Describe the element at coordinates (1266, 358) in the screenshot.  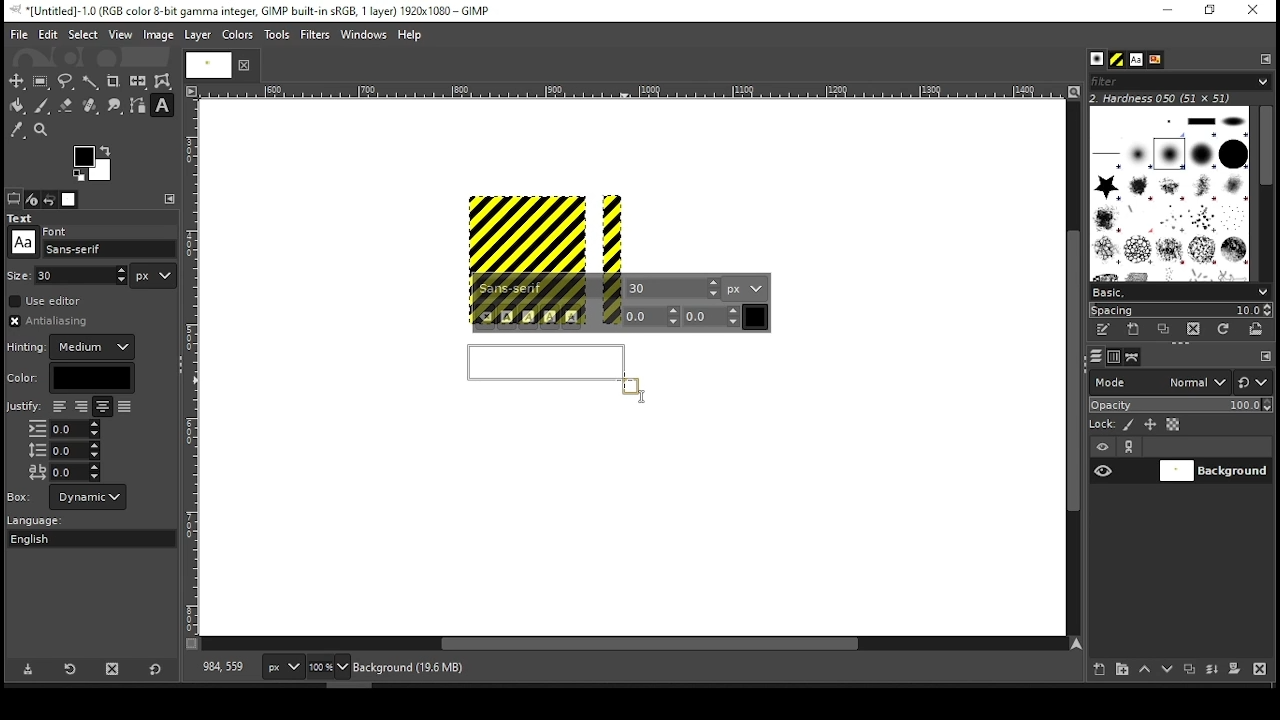
I see `configure this tab` at that location.